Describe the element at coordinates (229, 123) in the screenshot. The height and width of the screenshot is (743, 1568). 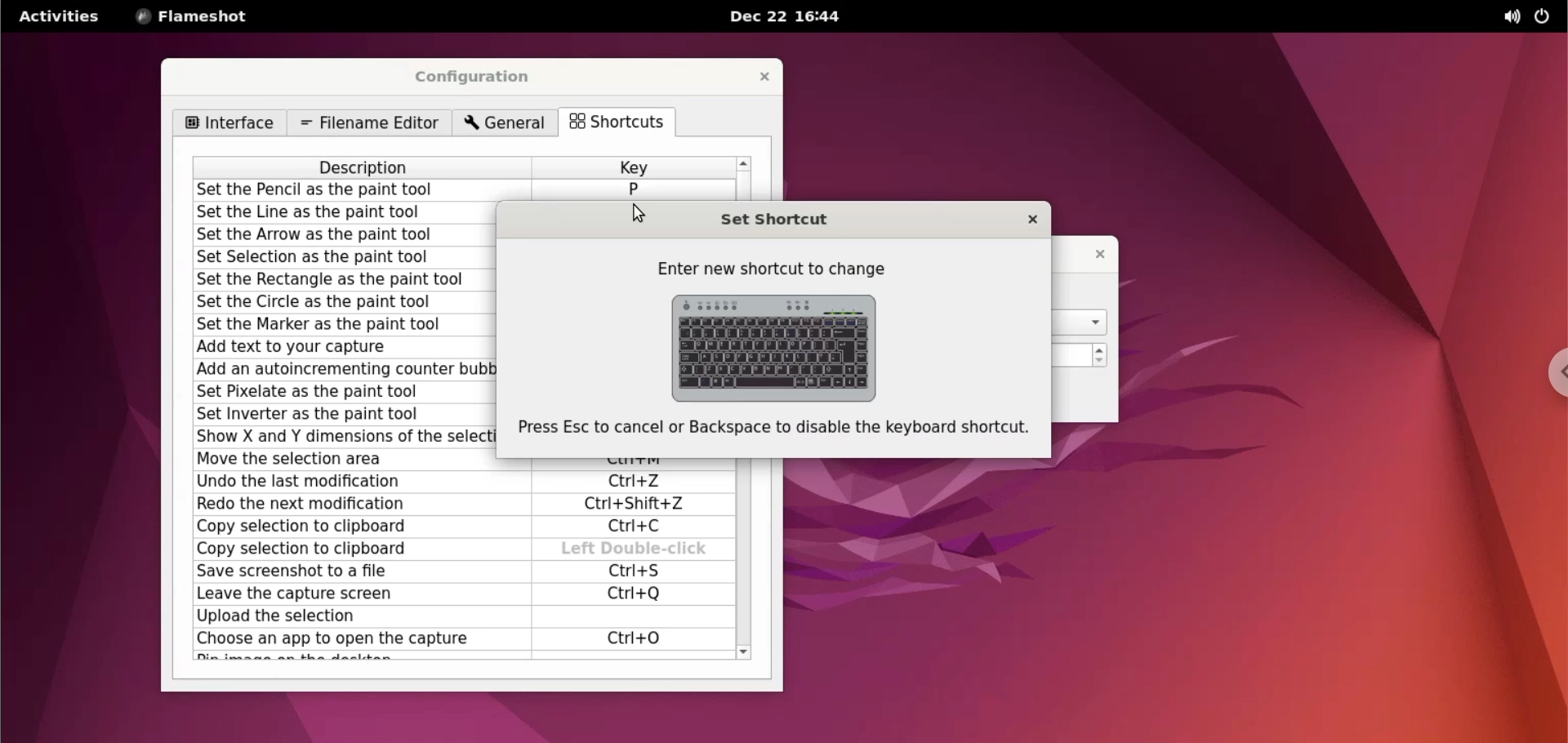
I see `interface ` at that location.